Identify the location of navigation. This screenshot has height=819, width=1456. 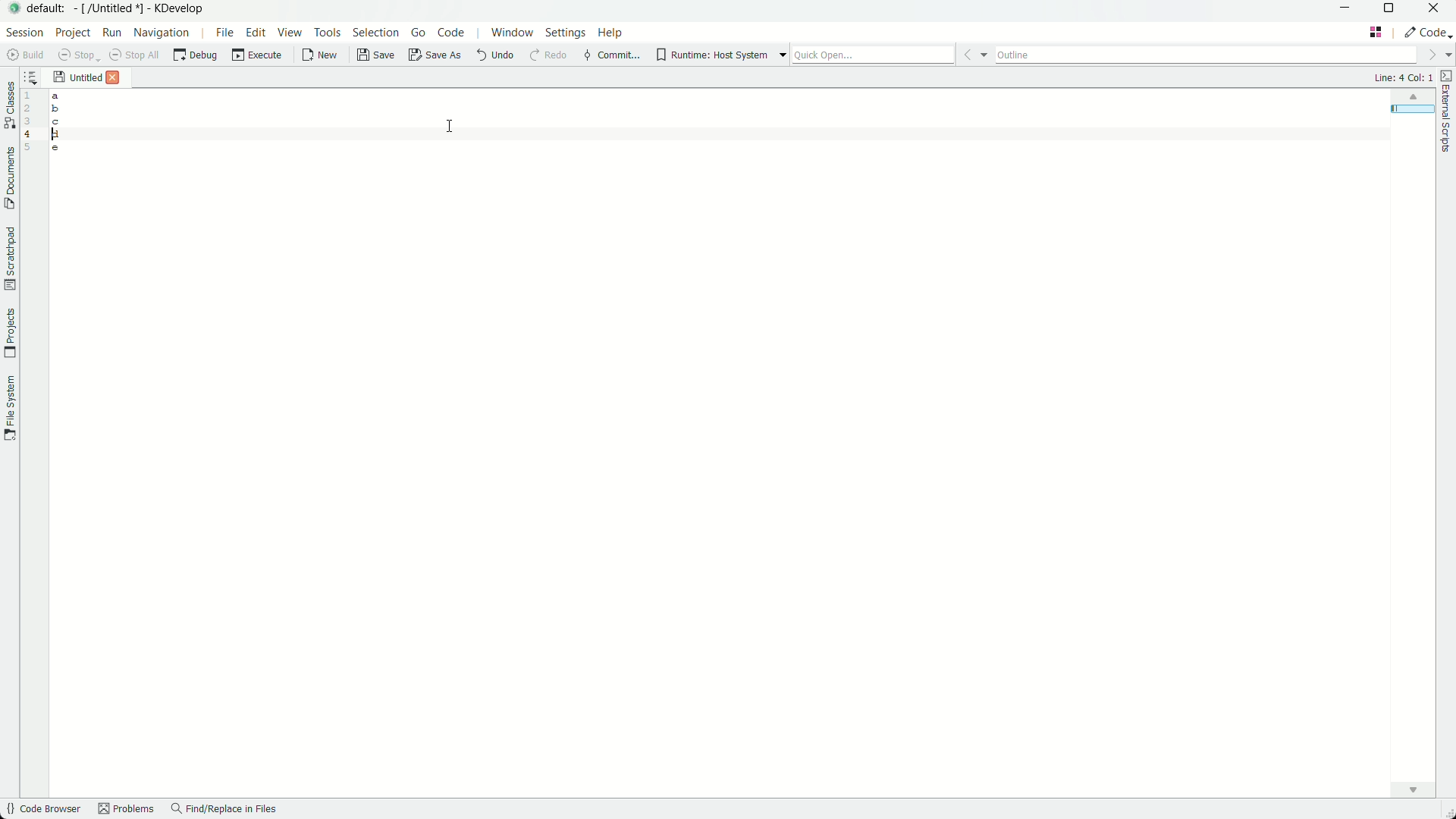
(162, 33).